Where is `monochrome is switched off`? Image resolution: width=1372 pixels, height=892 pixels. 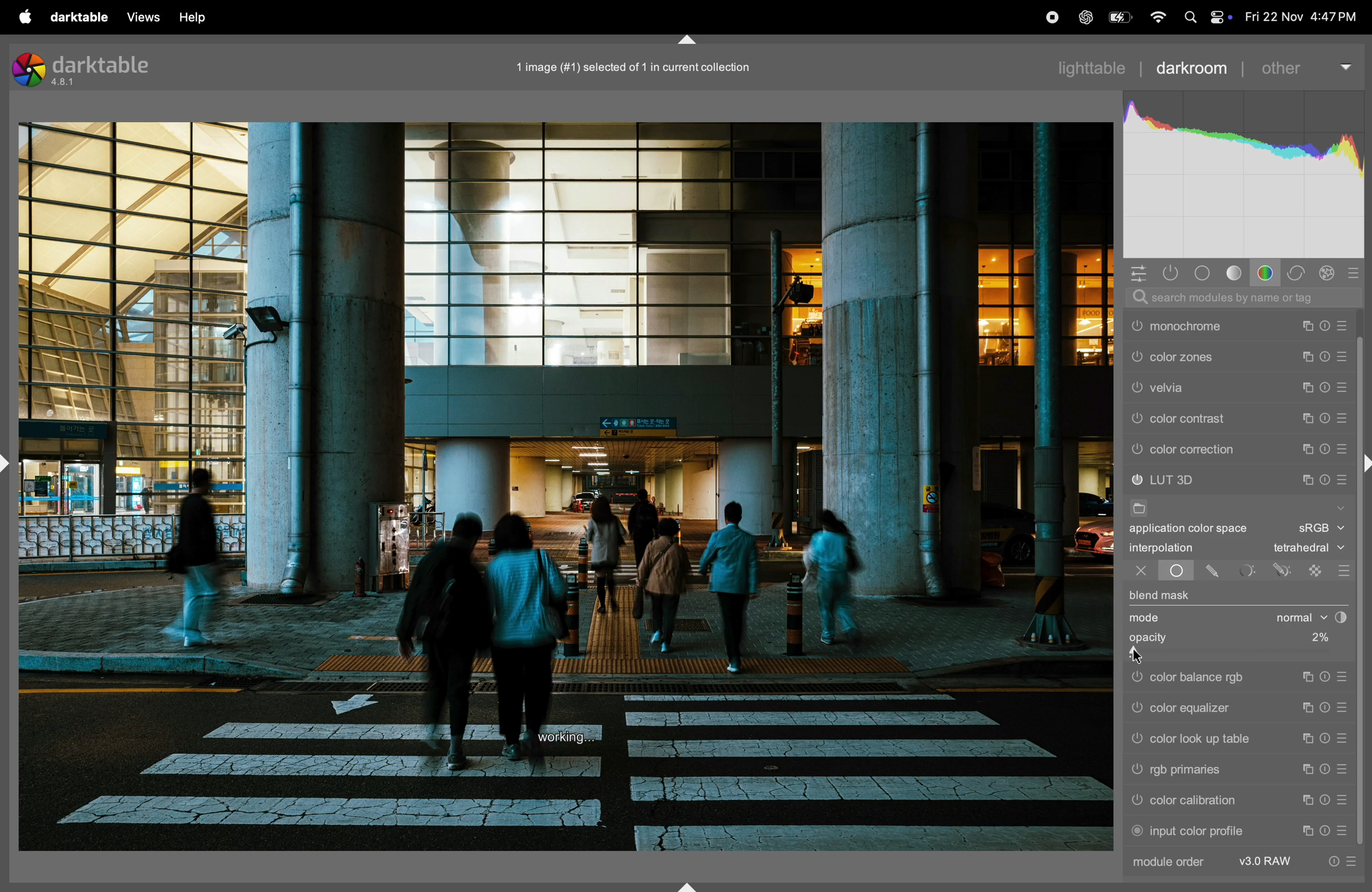
monochrome is switched off is located at coordinates (1136, 357).